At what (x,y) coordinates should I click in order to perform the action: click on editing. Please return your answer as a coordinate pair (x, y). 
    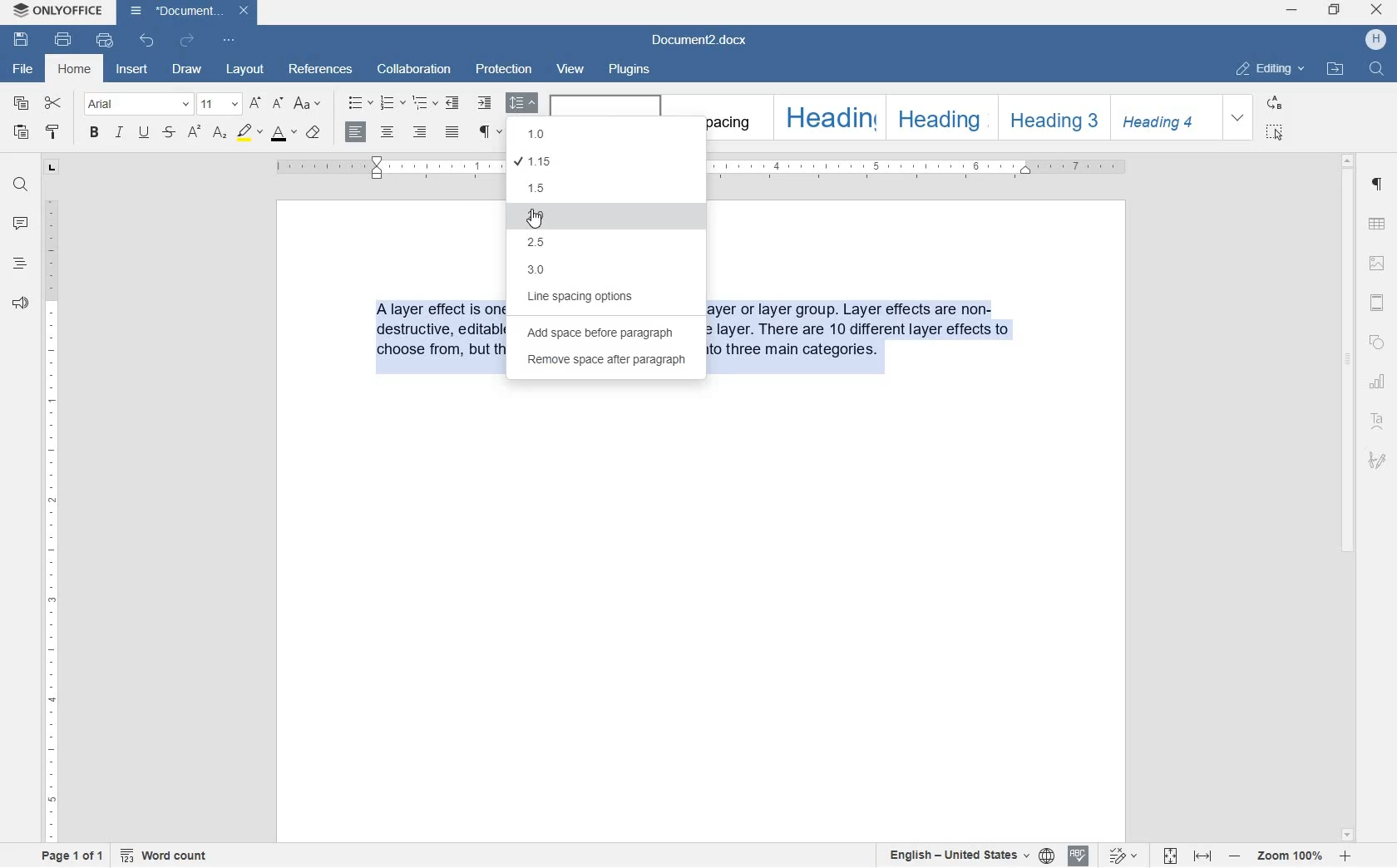
    Looking at the image, I should click on (1271, 71).